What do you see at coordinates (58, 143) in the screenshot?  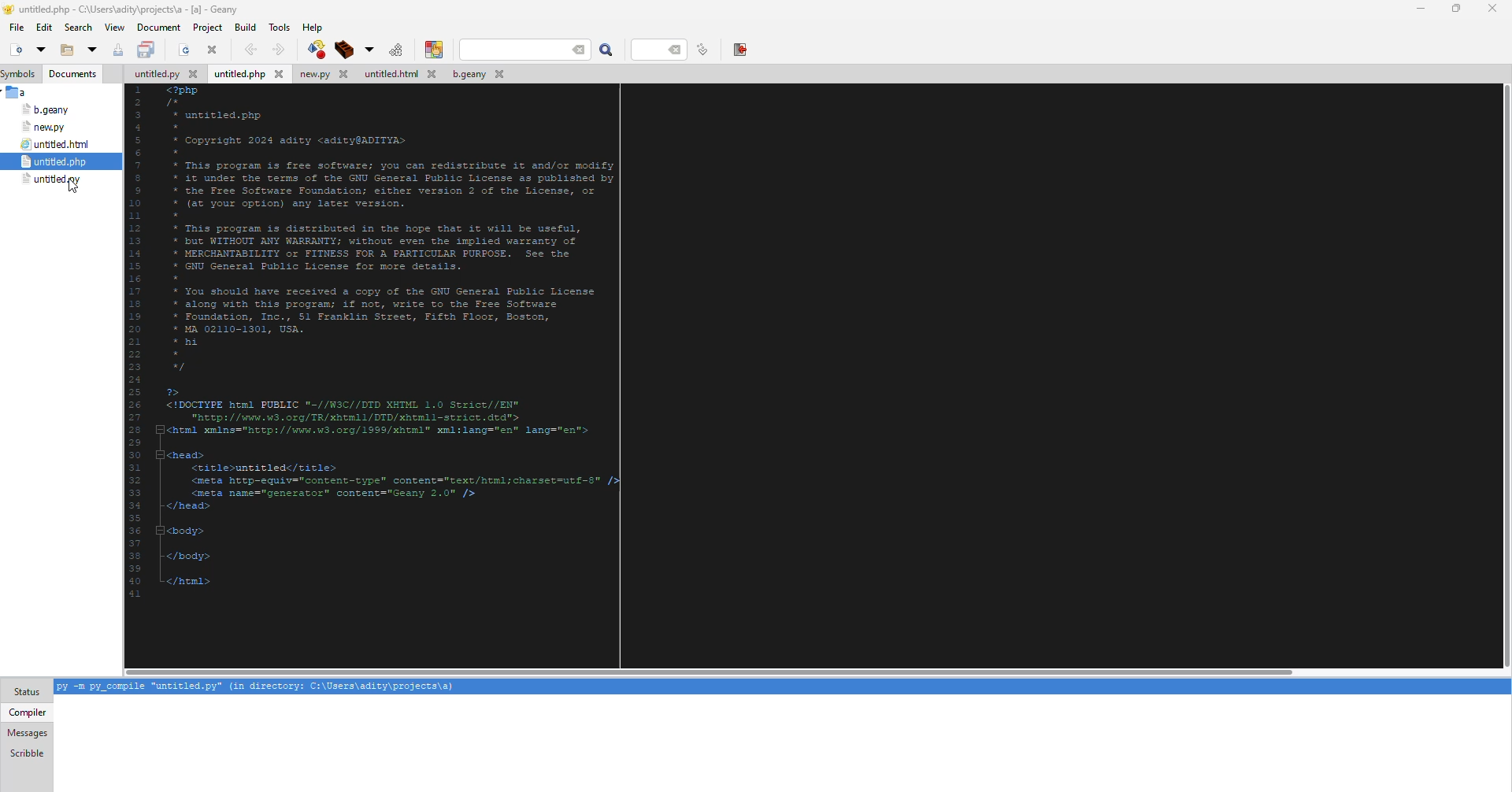 I see `untitled.html` at bounding box center [58, 143].